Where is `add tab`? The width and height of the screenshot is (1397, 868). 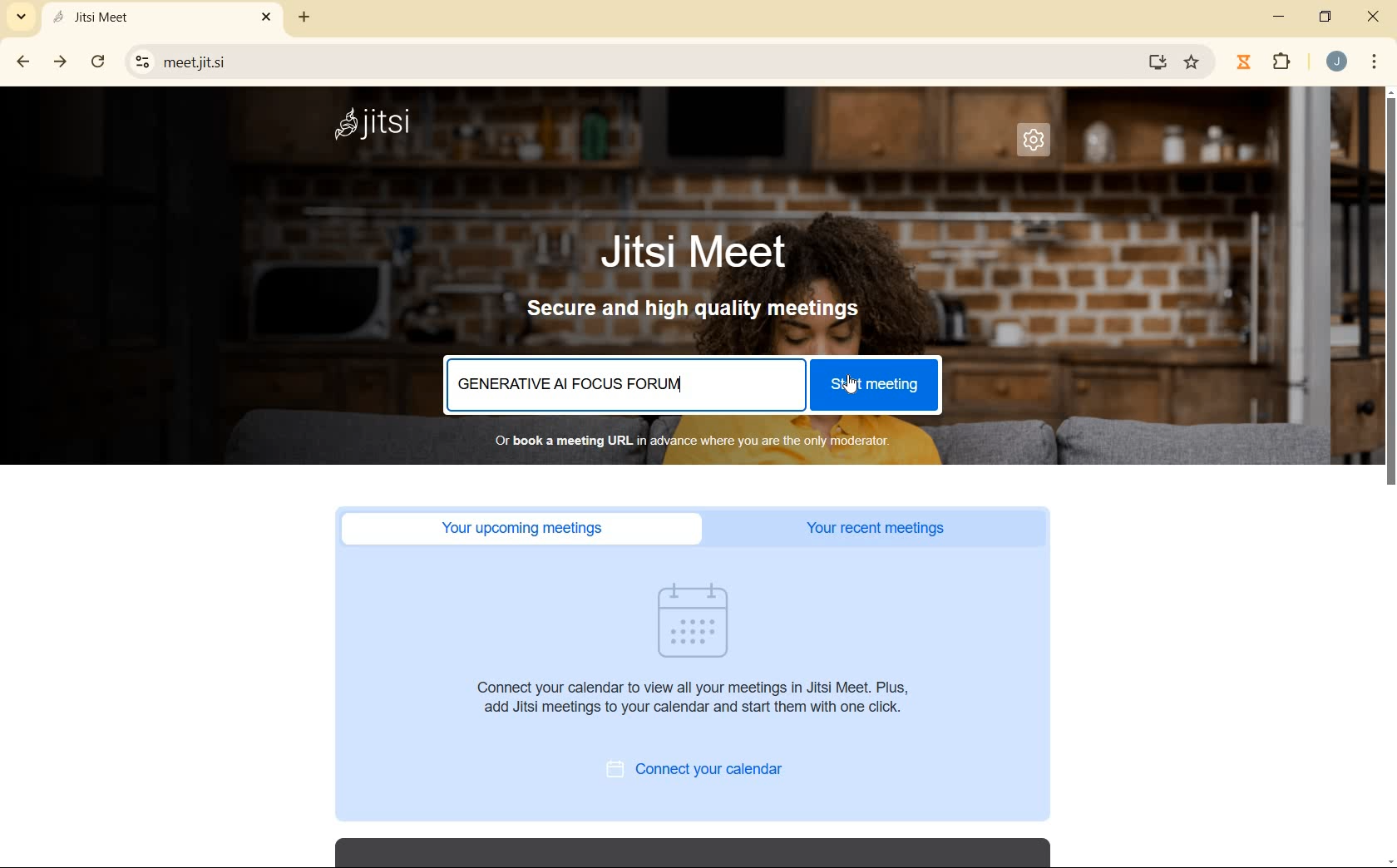
add tab is located at coordinates (304, 20).